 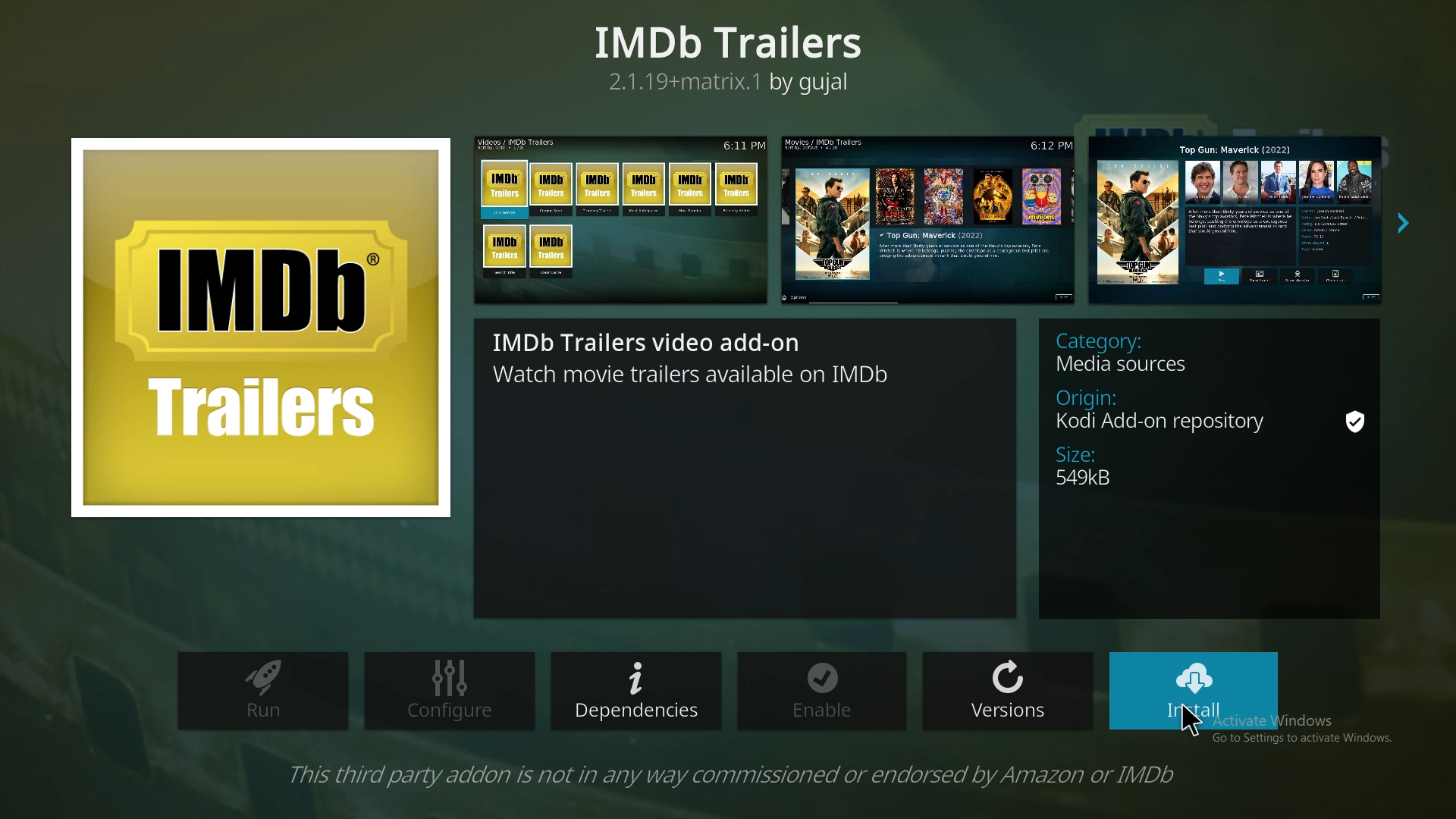 I want to click on cursor, so click(x=1195, y=724).